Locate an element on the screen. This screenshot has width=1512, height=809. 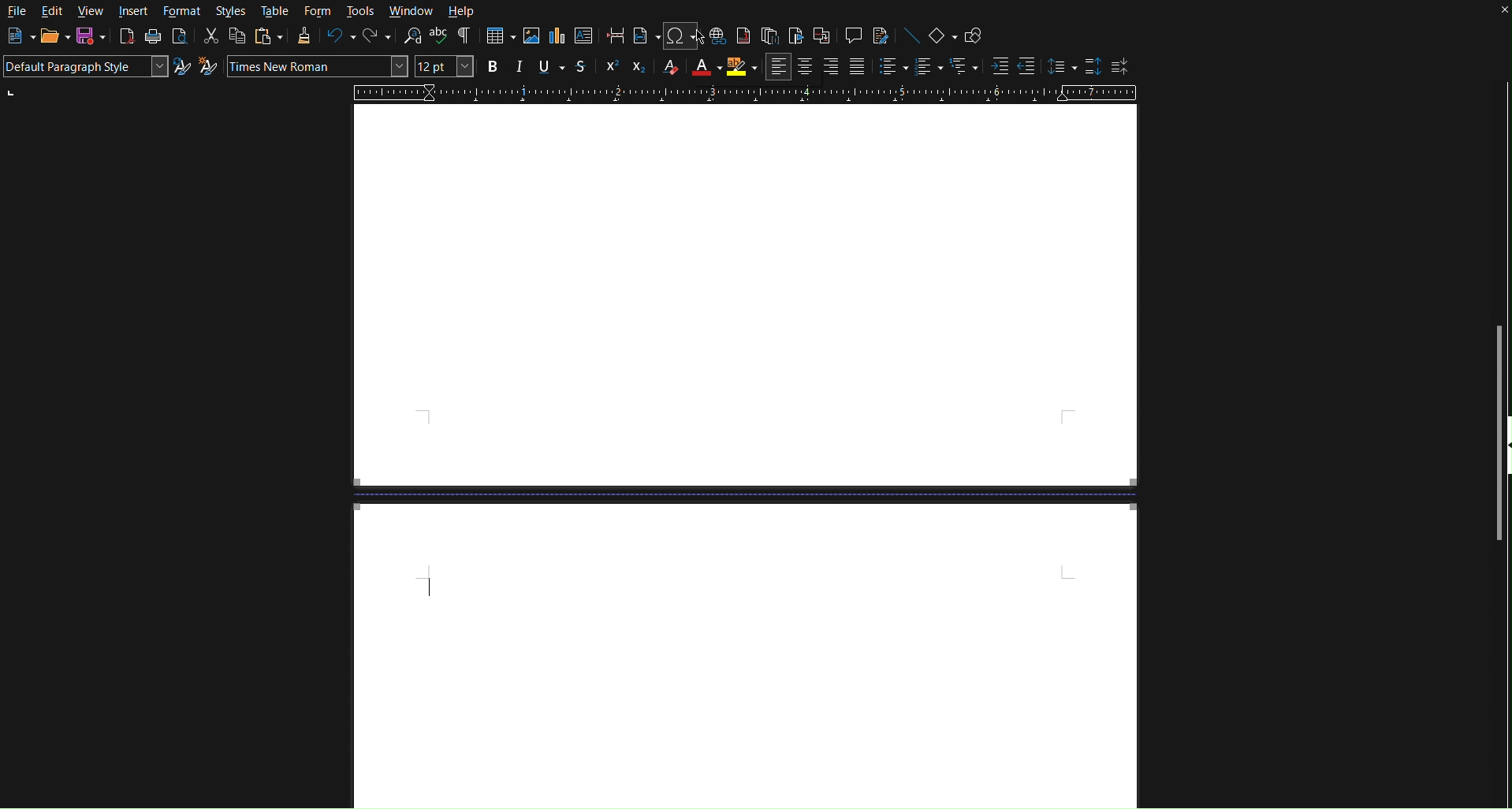
Bold is located at coordinates (493, 68).